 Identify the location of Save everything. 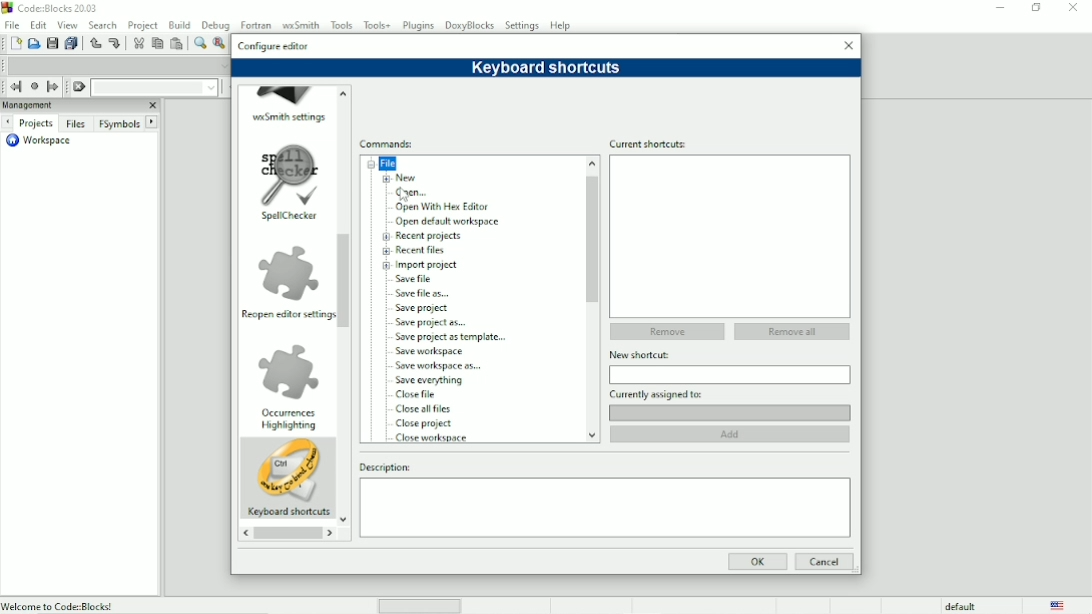
(70, 43).